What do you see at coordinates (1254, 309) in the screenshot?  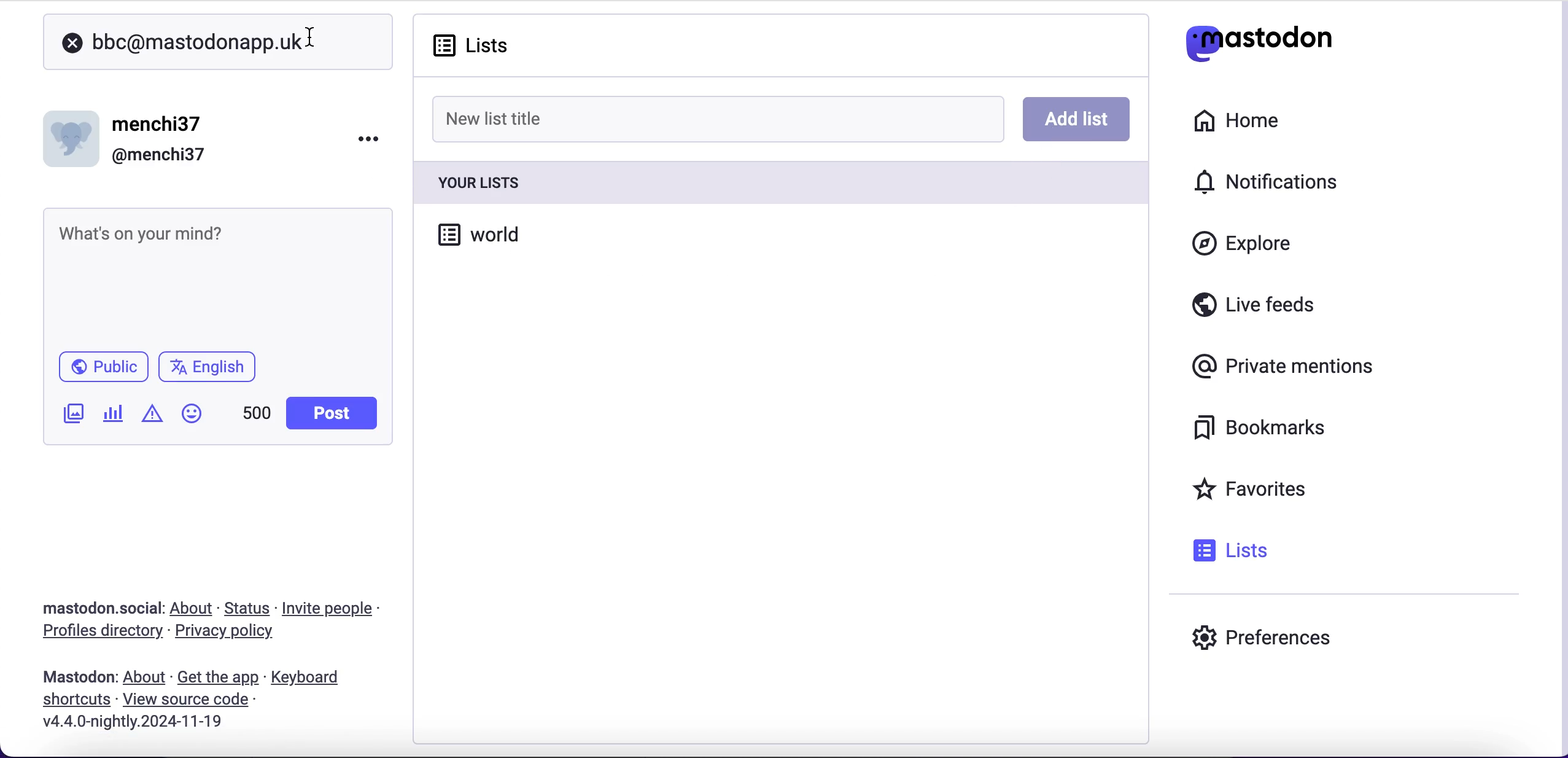 I see `live feeds` at bounding box center [1254, 309].